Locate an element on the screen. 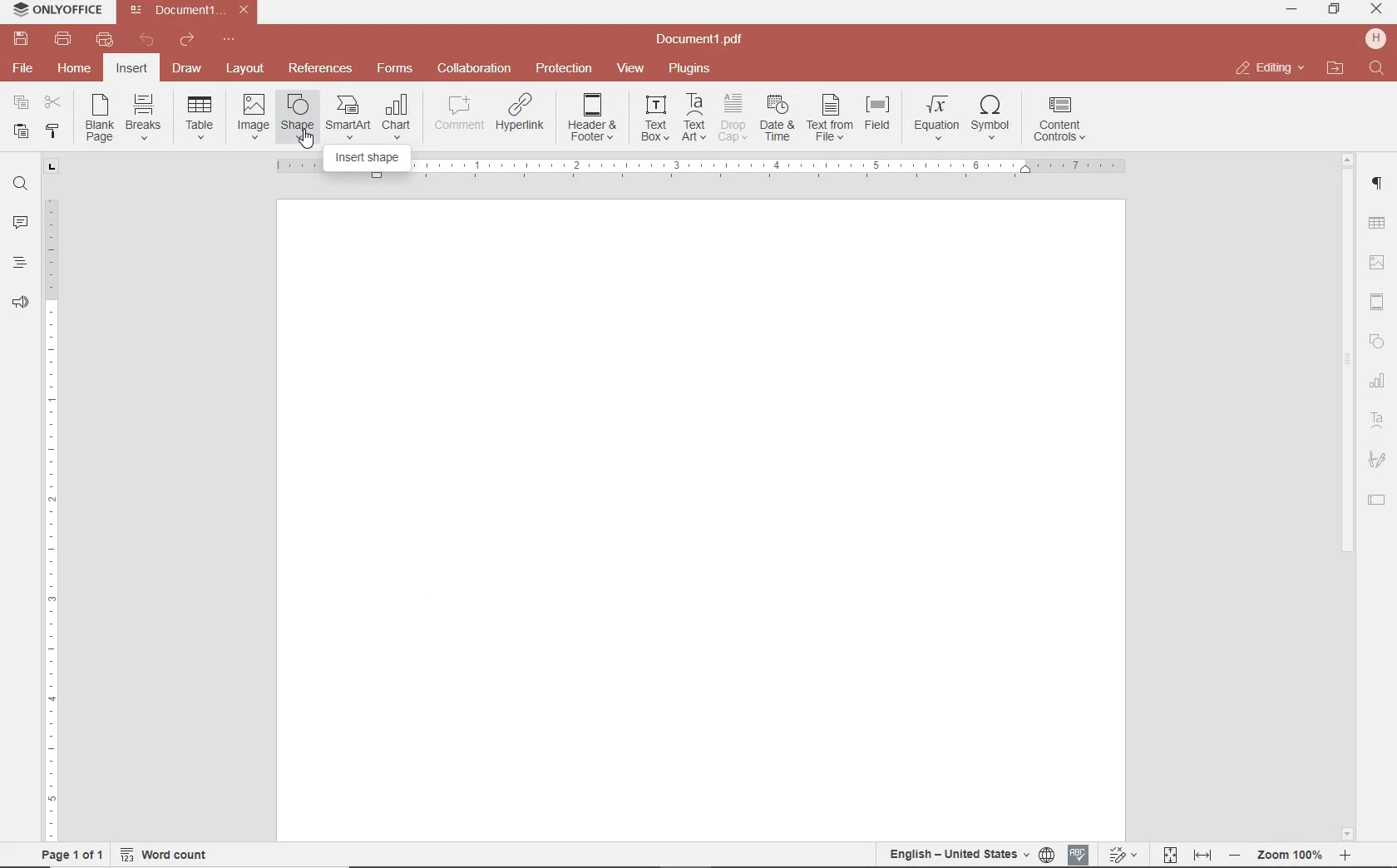 The width and height of the screenshot is (1397, 868). heading is located at coordinates (20, 262).